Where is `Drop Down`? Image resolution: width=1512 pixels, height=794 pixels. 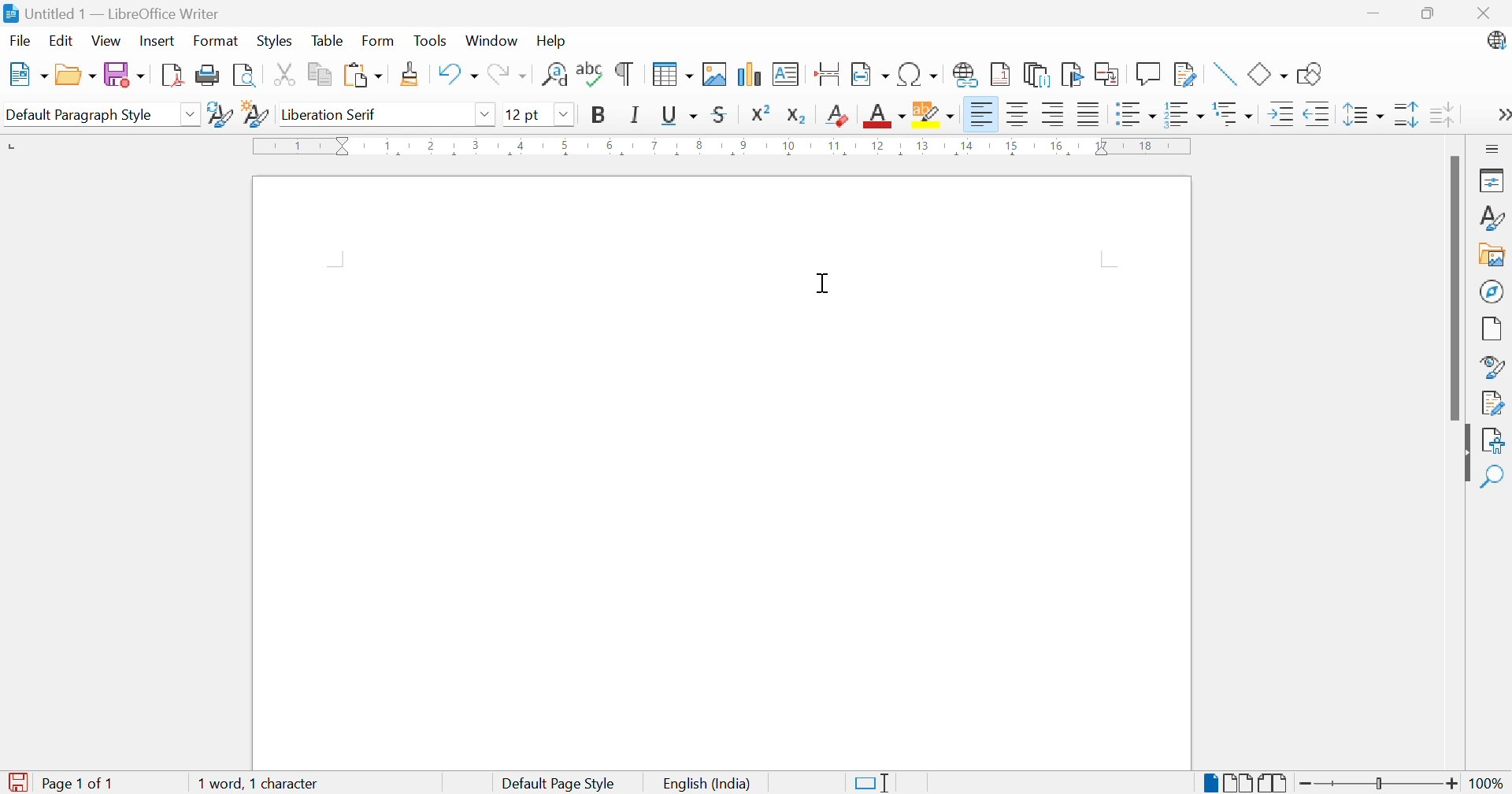 Drop Down is located at coordinates (563, 114).